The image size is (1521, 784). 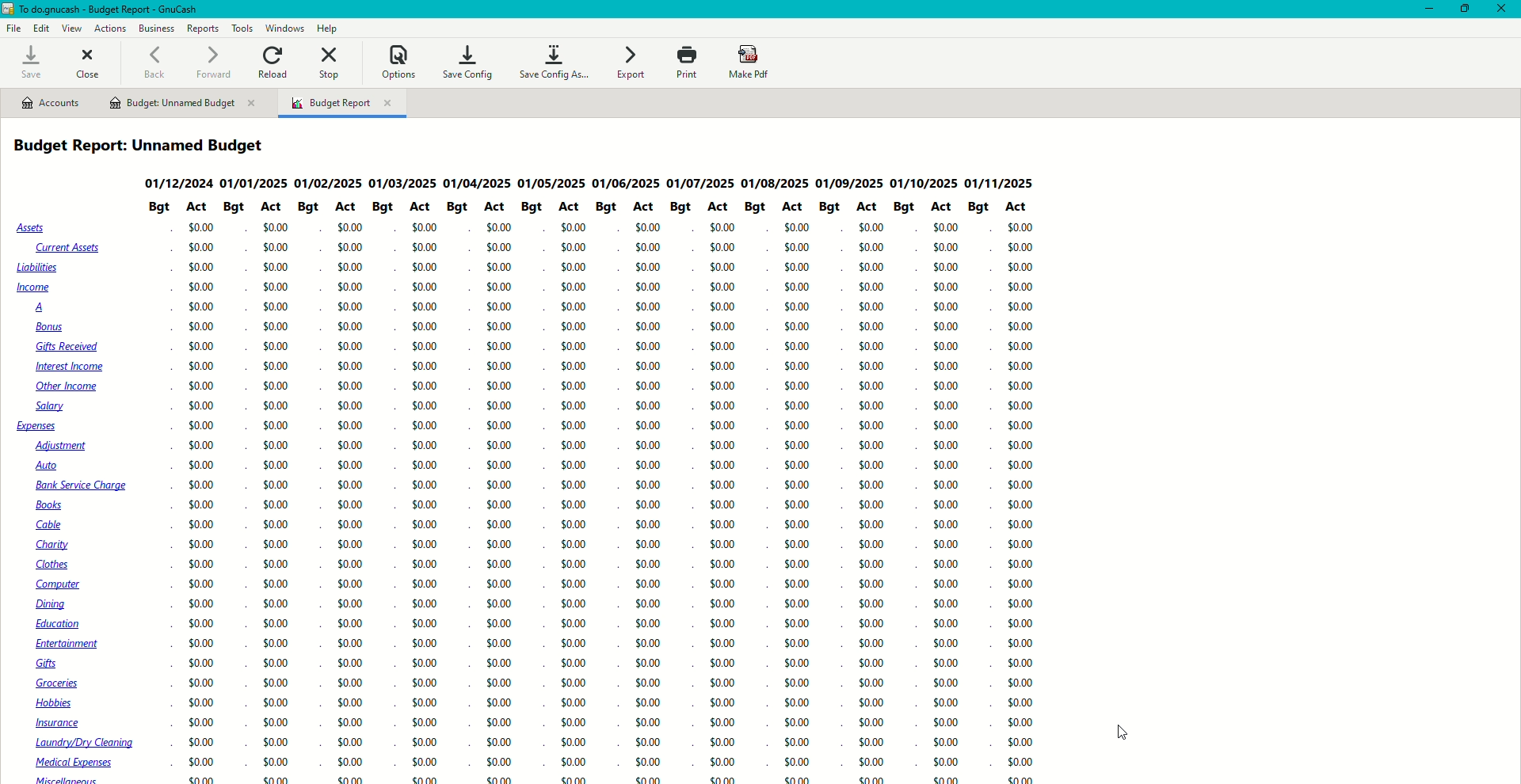 What do you see at coordinates (147, 146) in the screenshot?
I see `Budget Report` at bounding box center [147, 146].